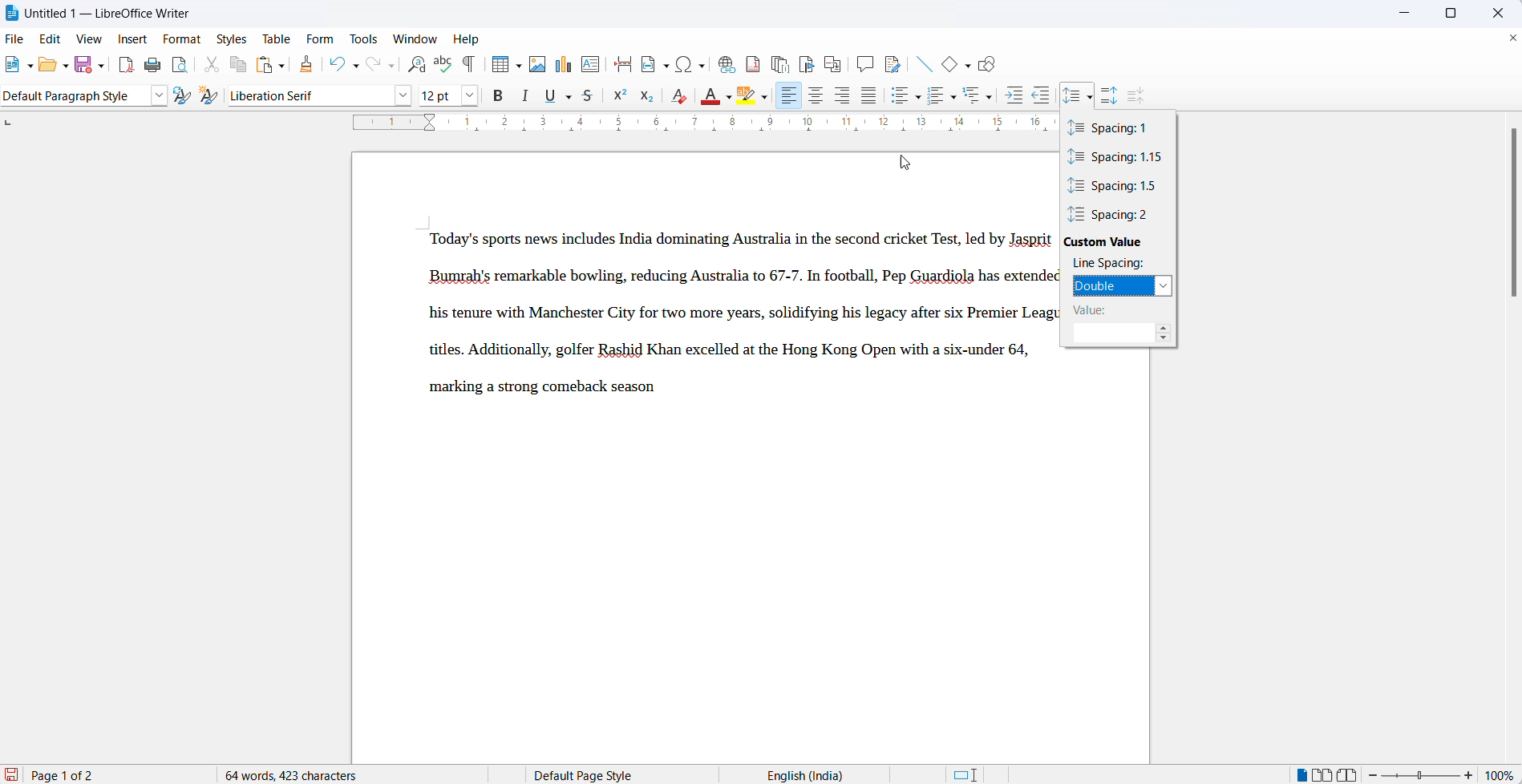 This screenshot has height=784, width=1522. I want to click on export as pdf, so click(125, 65).